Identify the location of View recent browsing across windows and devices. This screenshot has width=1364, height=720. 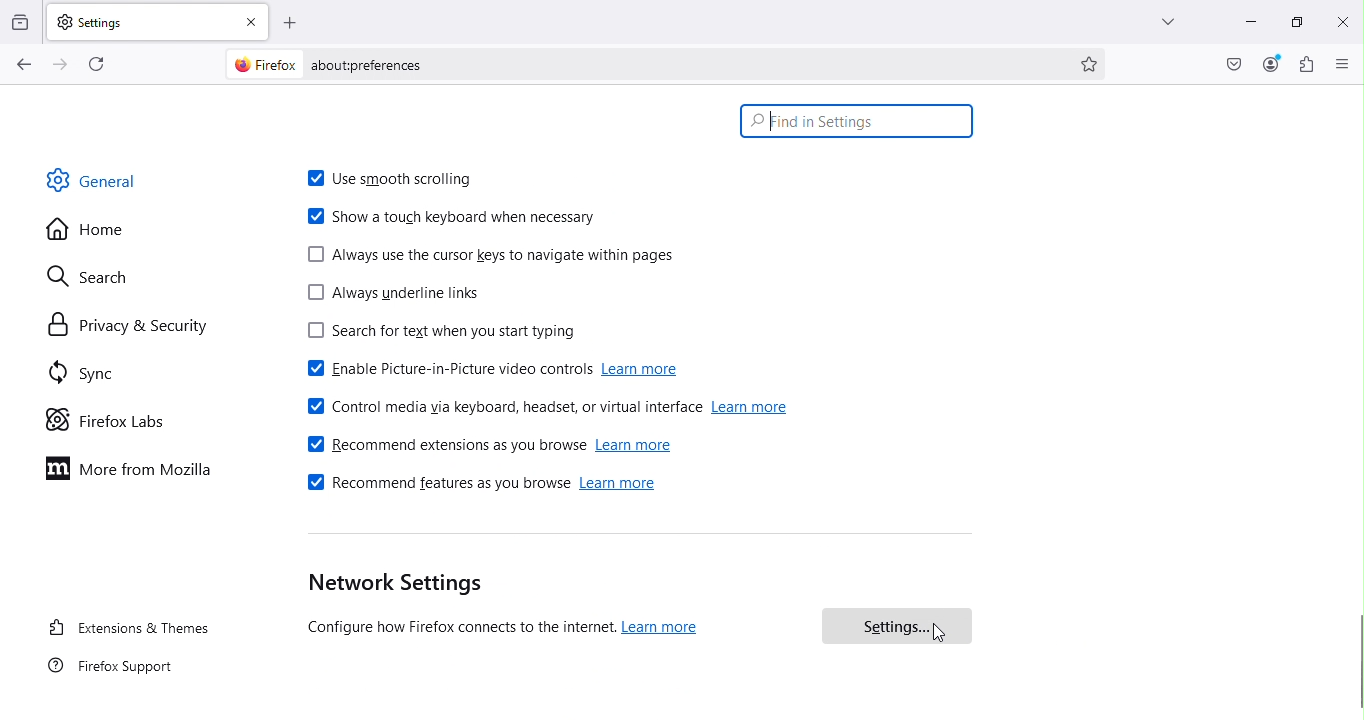
(22, 20).